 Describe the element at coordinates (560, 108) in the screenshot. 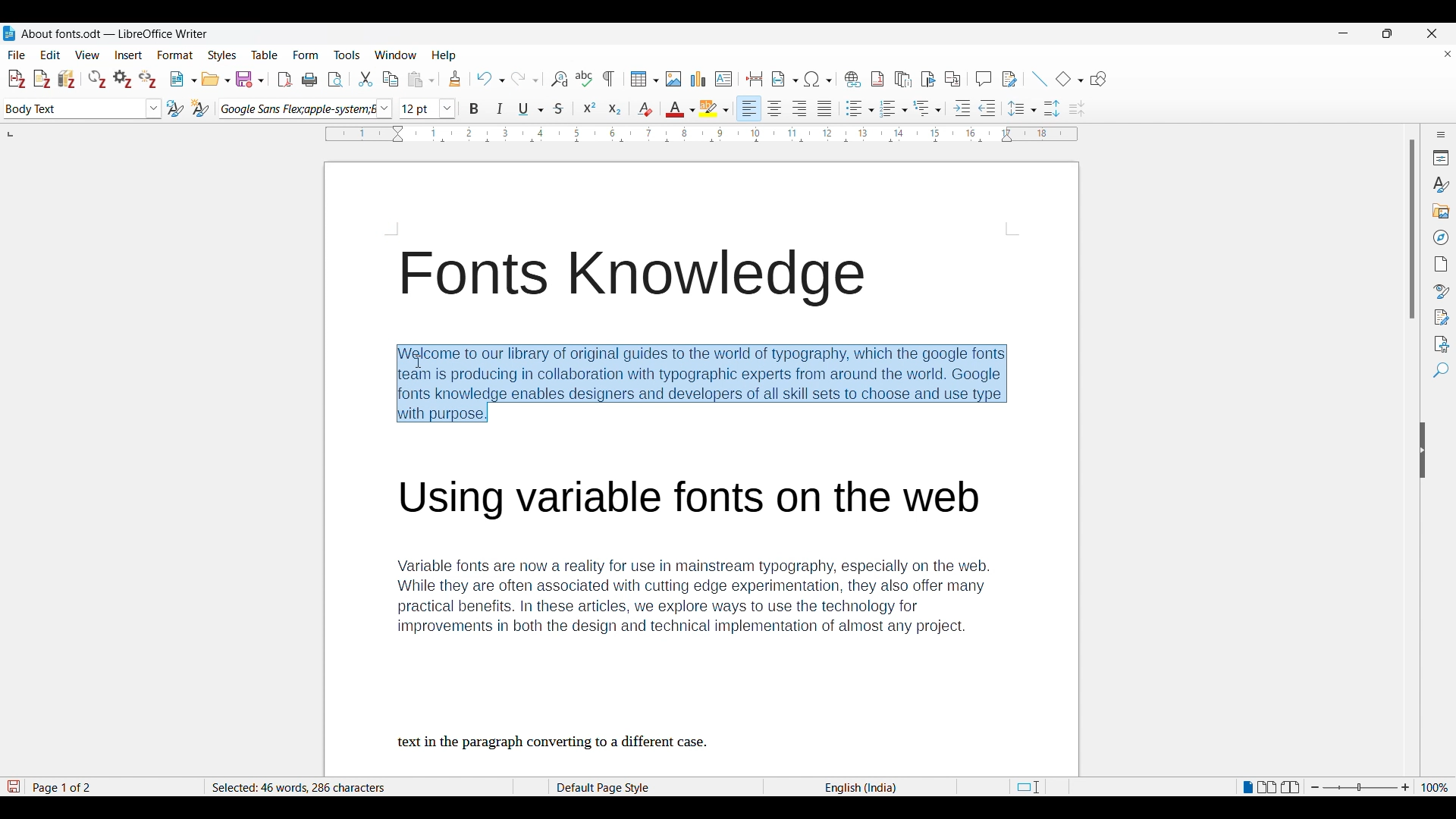

I see `Strike through` at that location.